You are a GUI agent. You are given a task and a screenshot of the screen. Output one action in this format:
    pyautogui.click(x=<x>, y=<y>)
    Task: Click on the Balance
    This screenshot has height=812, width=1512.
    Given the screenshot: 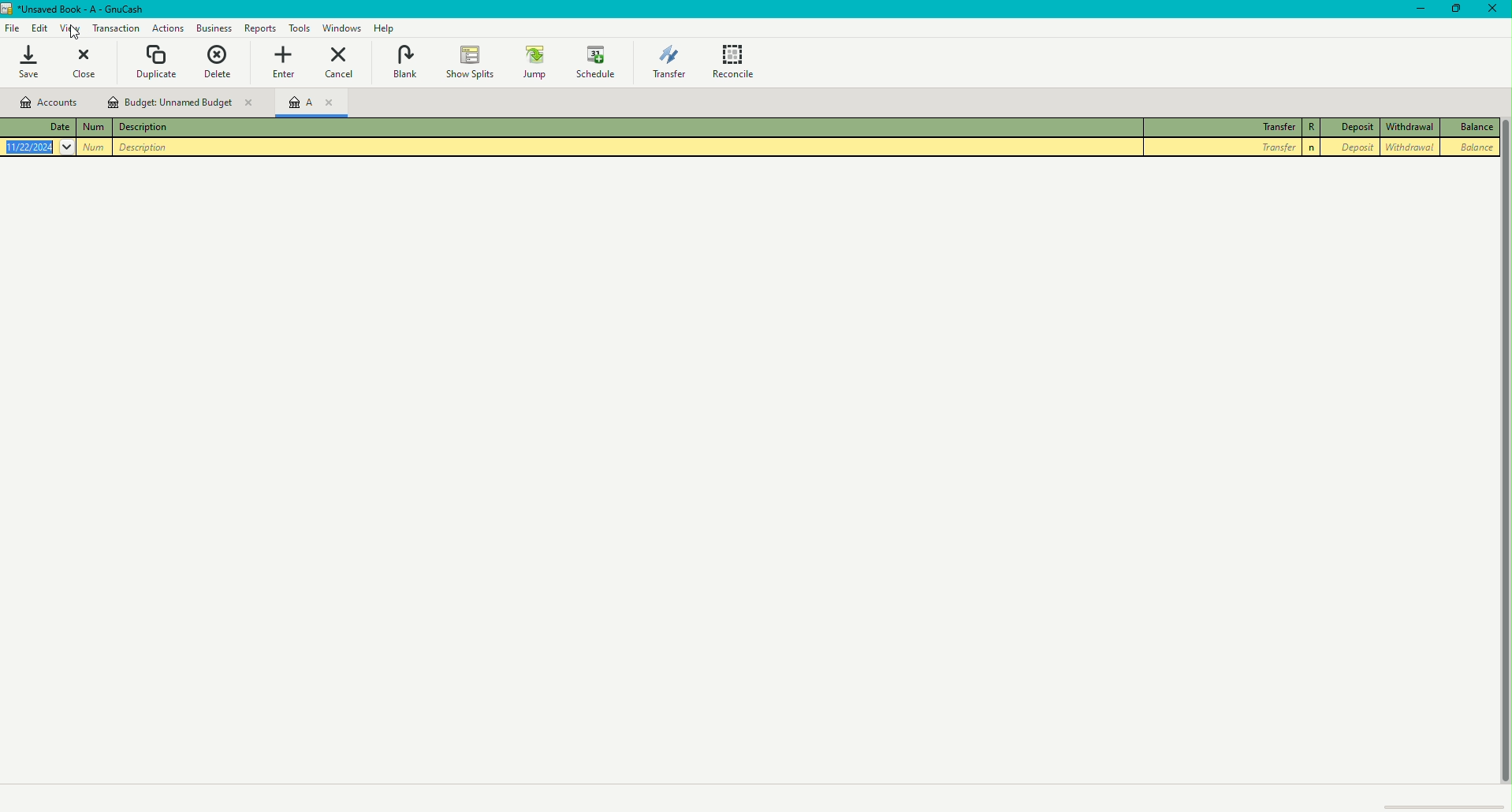 What is the action you would take?
    pyautogui.click(x=1473, y=148)
    